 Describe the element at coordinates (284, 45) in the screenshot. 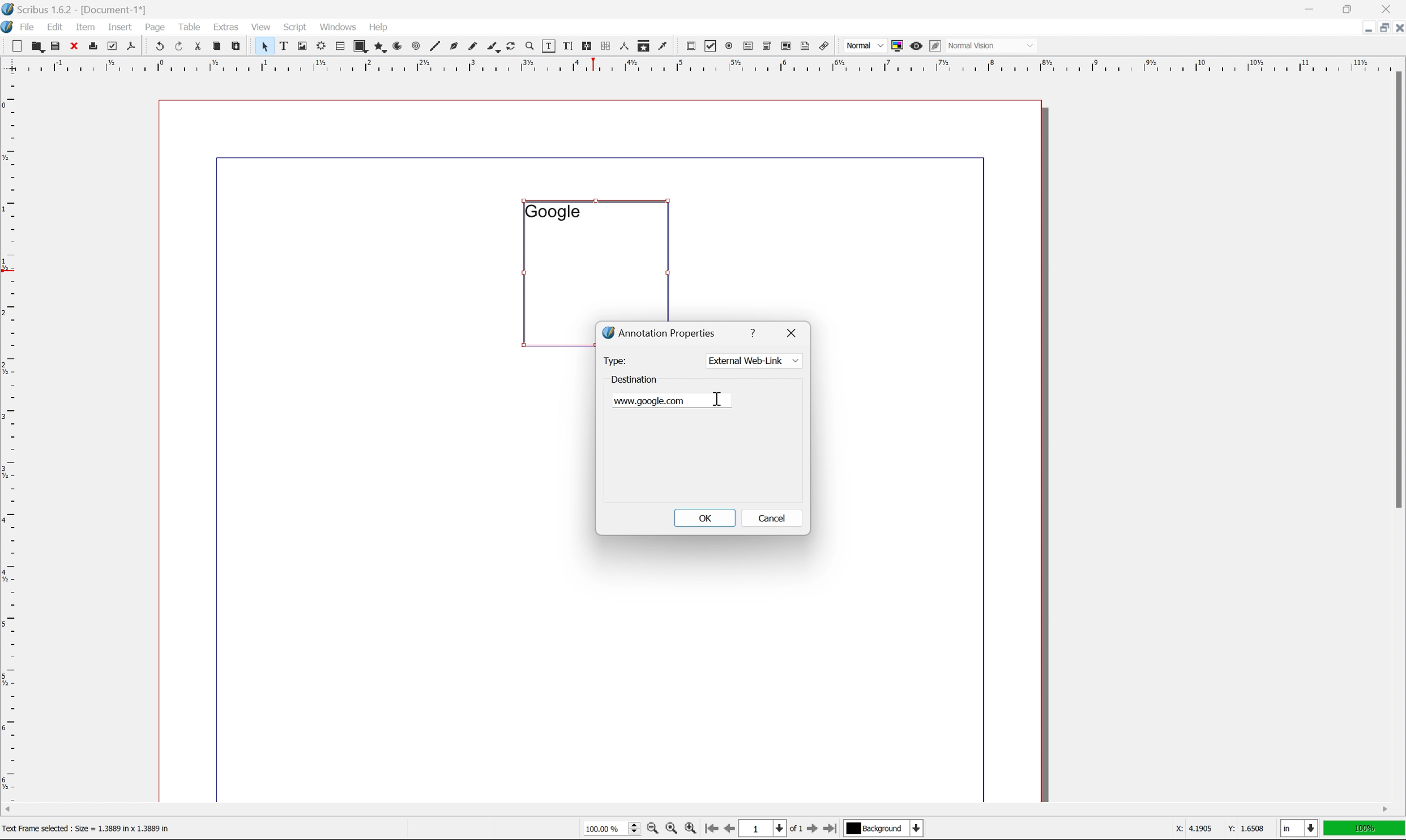

I see `text frame` at that location.